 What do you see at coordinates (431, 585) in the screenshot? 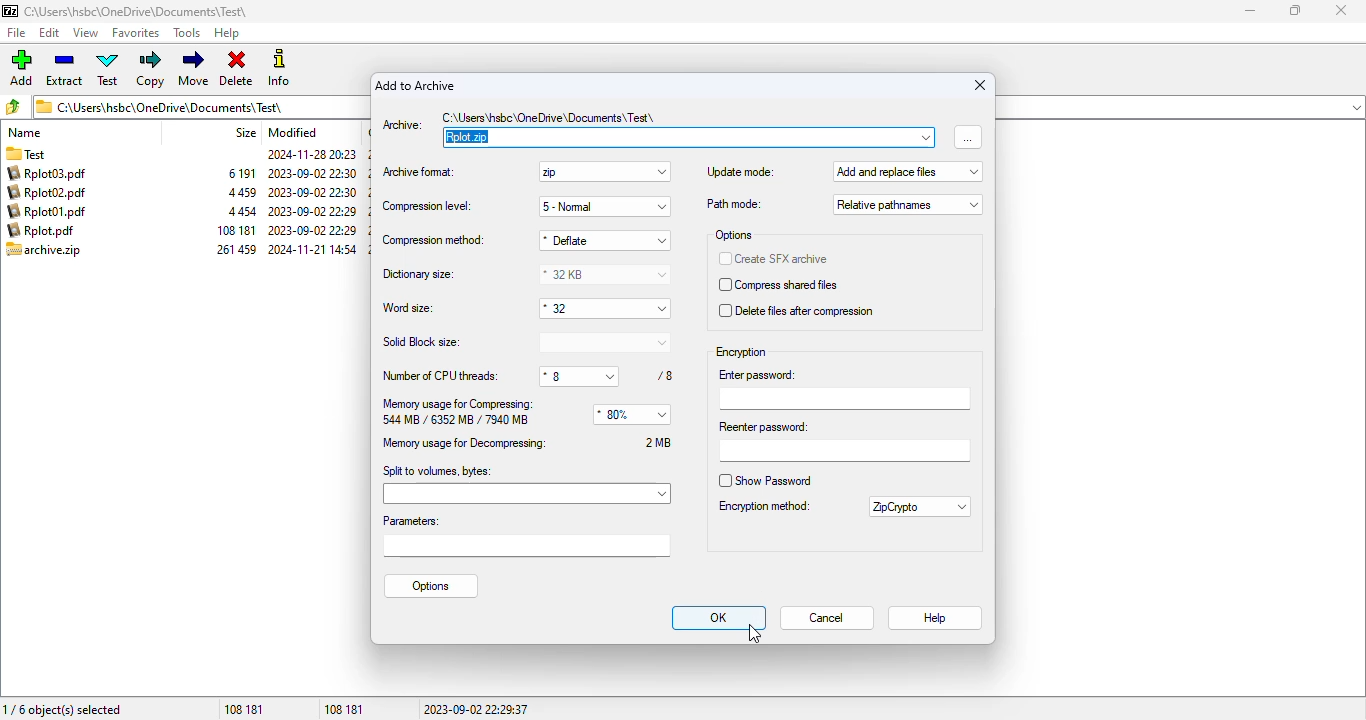
I see `options` at bounding box center [431, 585].